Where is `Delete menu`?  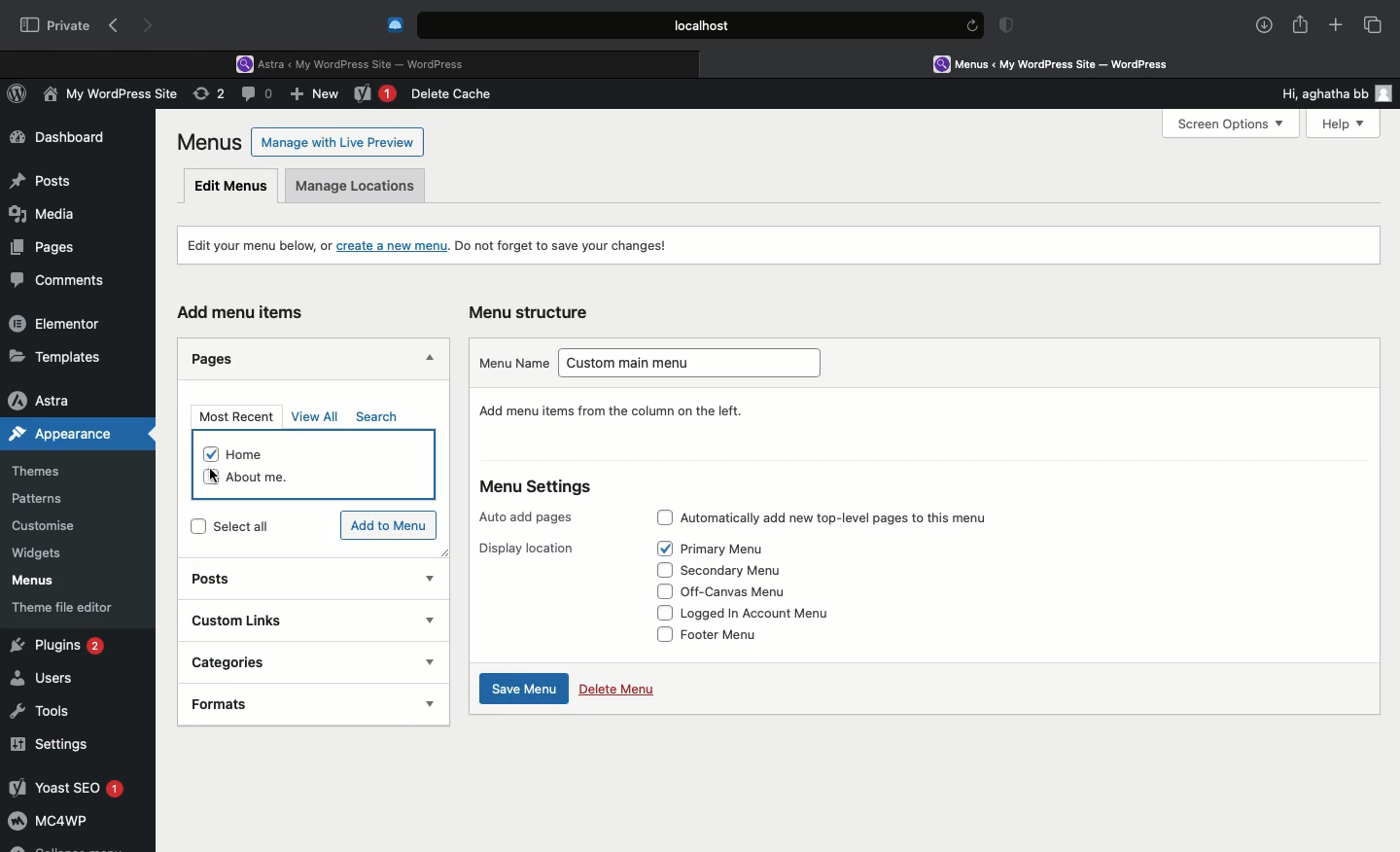
Delete menu is located at coordinates (616, 688).